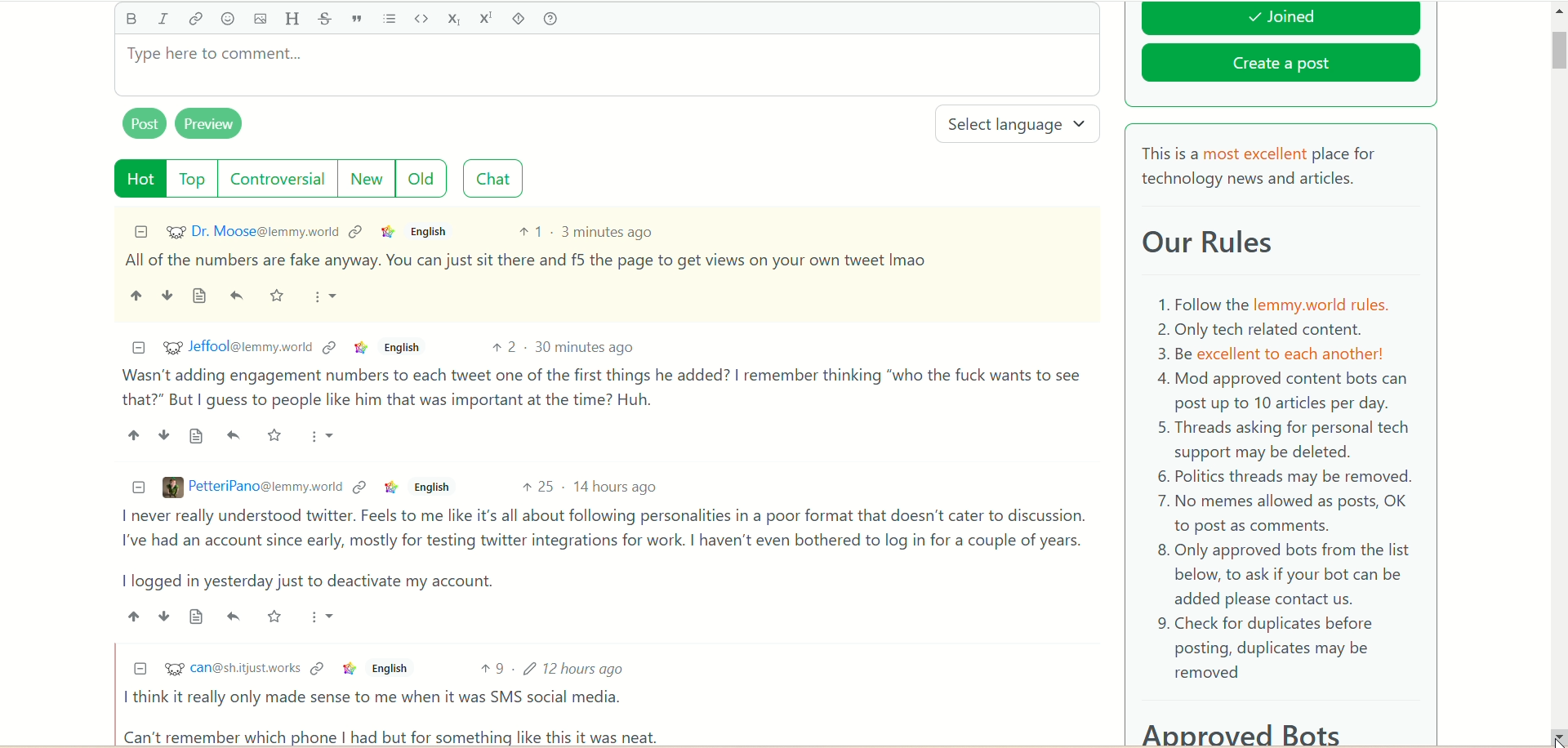 This screenshot has height=748, width=1568. I want to click on %P Jeffool@lemmy.world, so click(237, 346).